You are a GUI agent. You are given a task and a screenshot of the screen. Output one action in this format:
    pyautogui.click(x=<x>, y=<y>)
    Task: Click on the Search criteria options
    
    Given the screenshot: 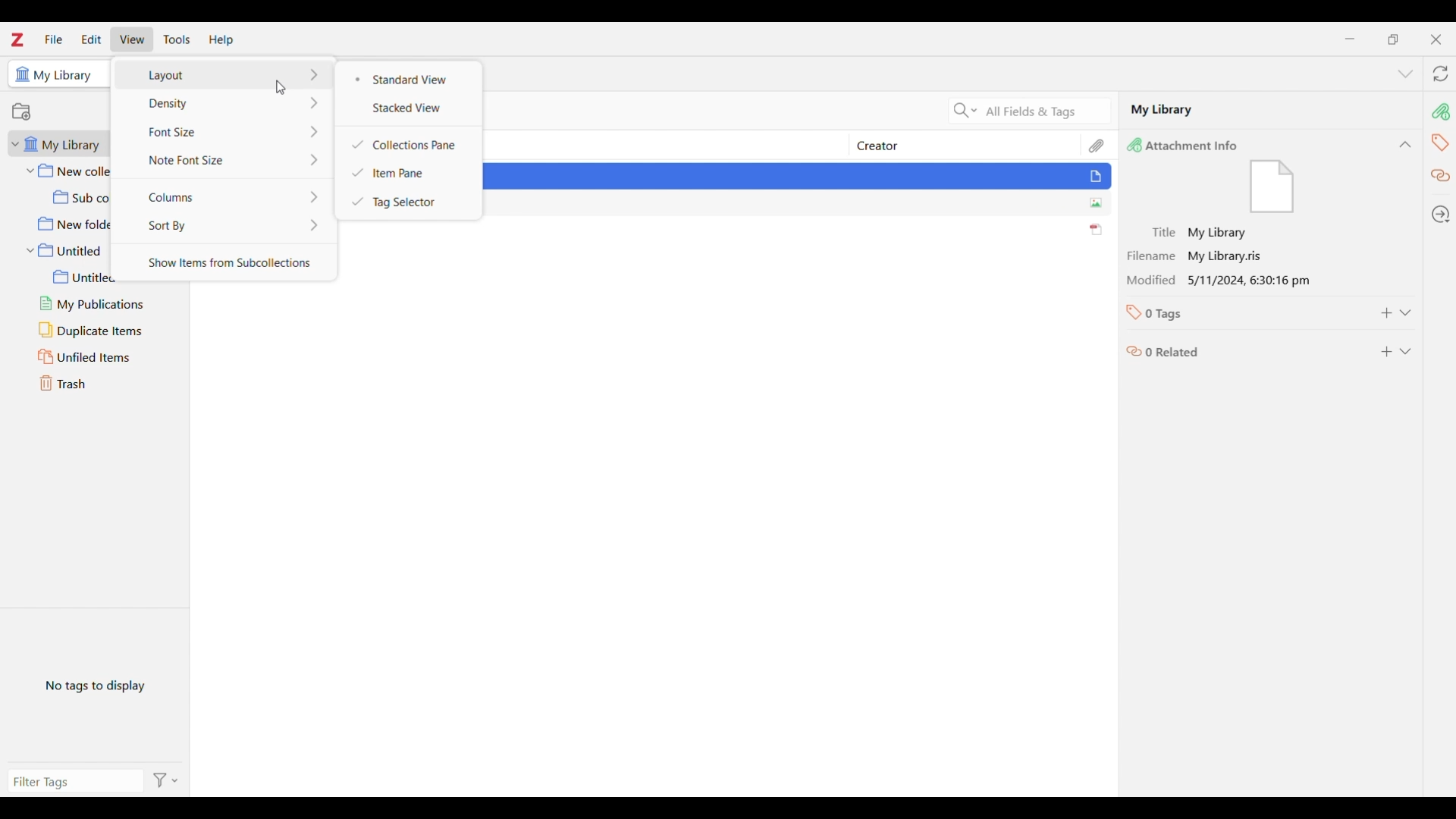 What is the action you would take?
    pyautogui.click(x=965, y=111)
    